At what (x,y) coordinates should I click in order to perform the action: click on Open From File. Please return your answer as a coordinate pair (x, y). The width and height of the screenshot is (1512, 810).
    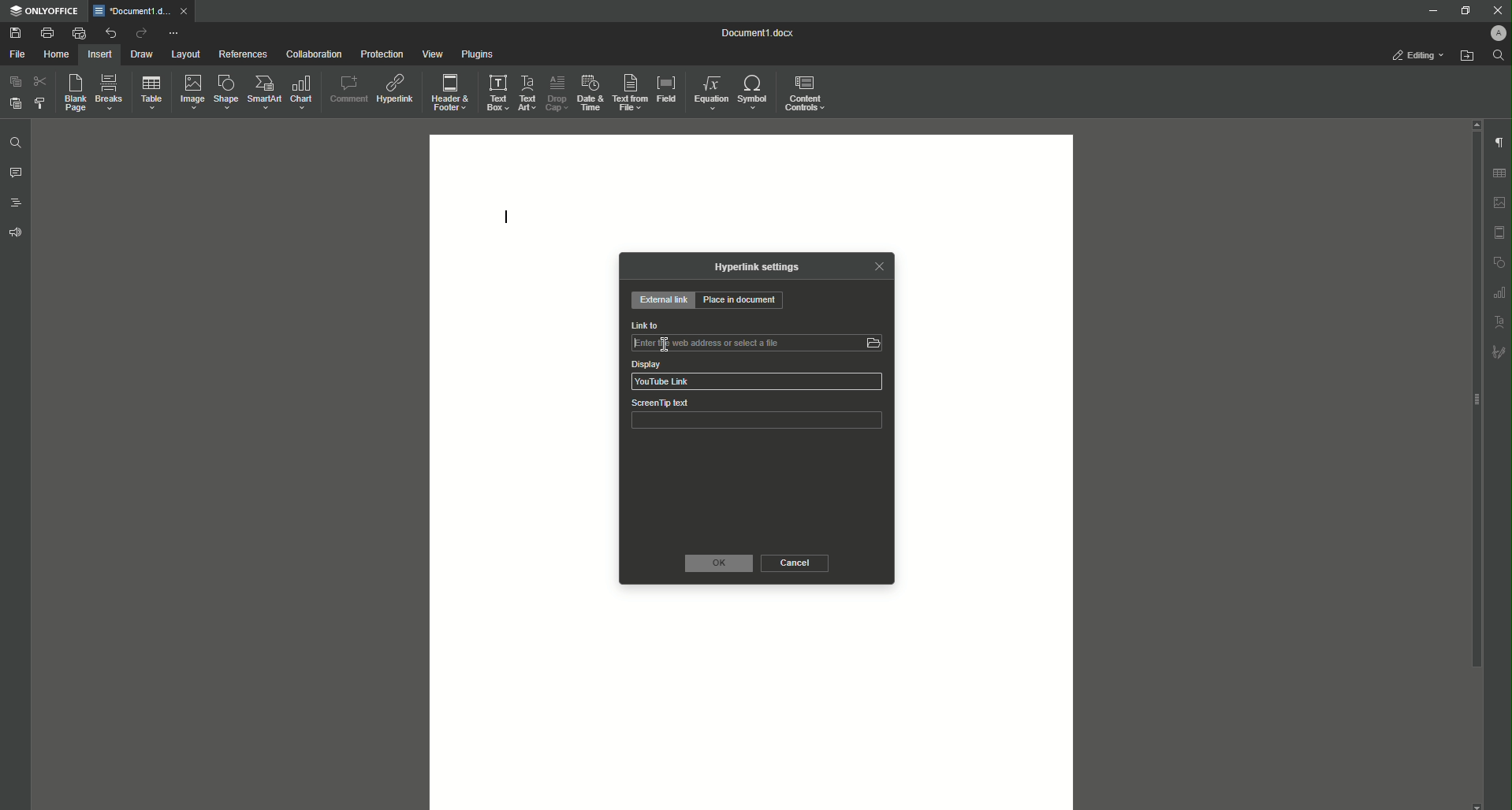
    Looking at the image, I should click on (1467, 58).